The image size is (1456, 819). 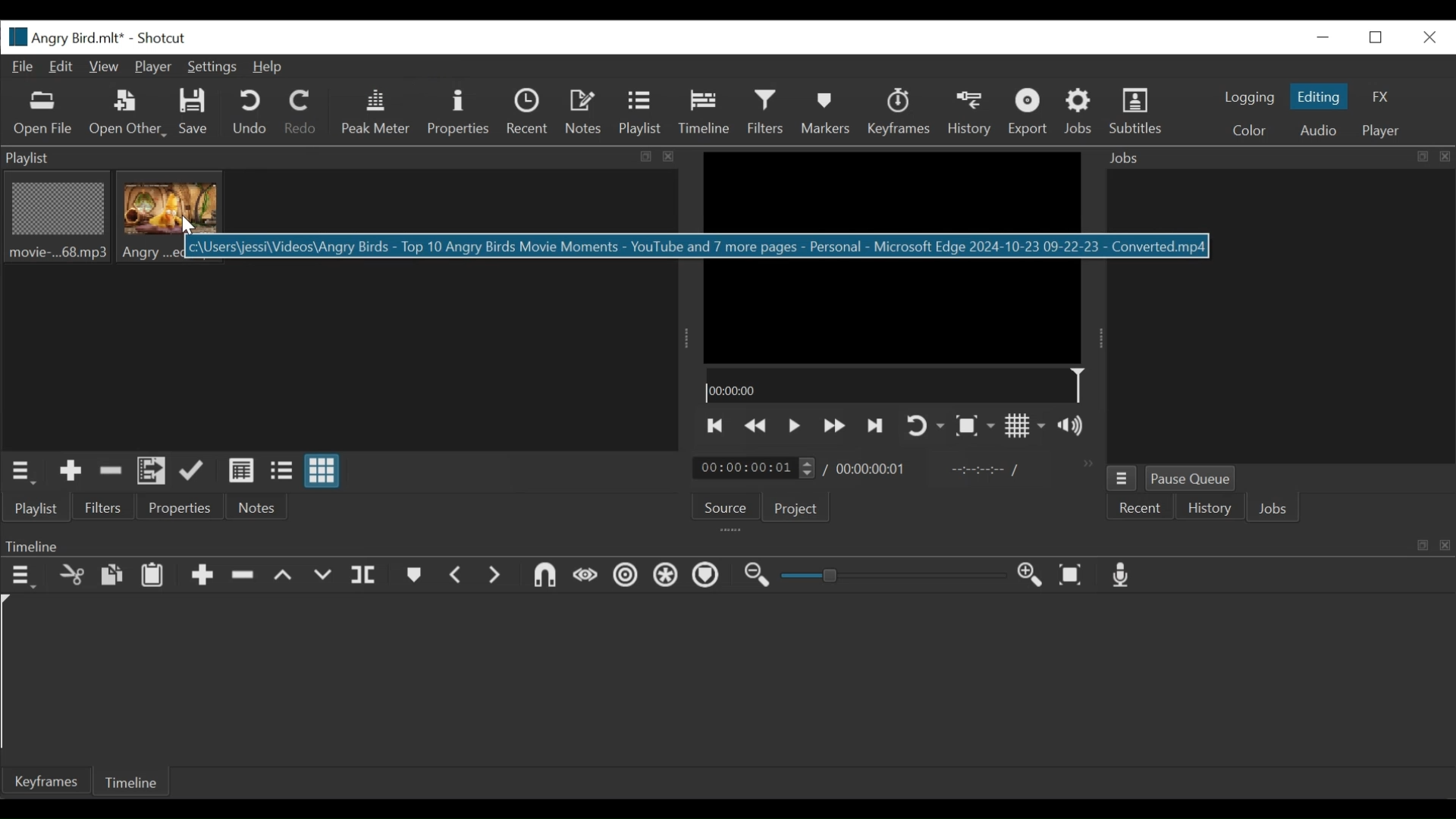 I want to click on View as icons, so click(x=322, y=471).